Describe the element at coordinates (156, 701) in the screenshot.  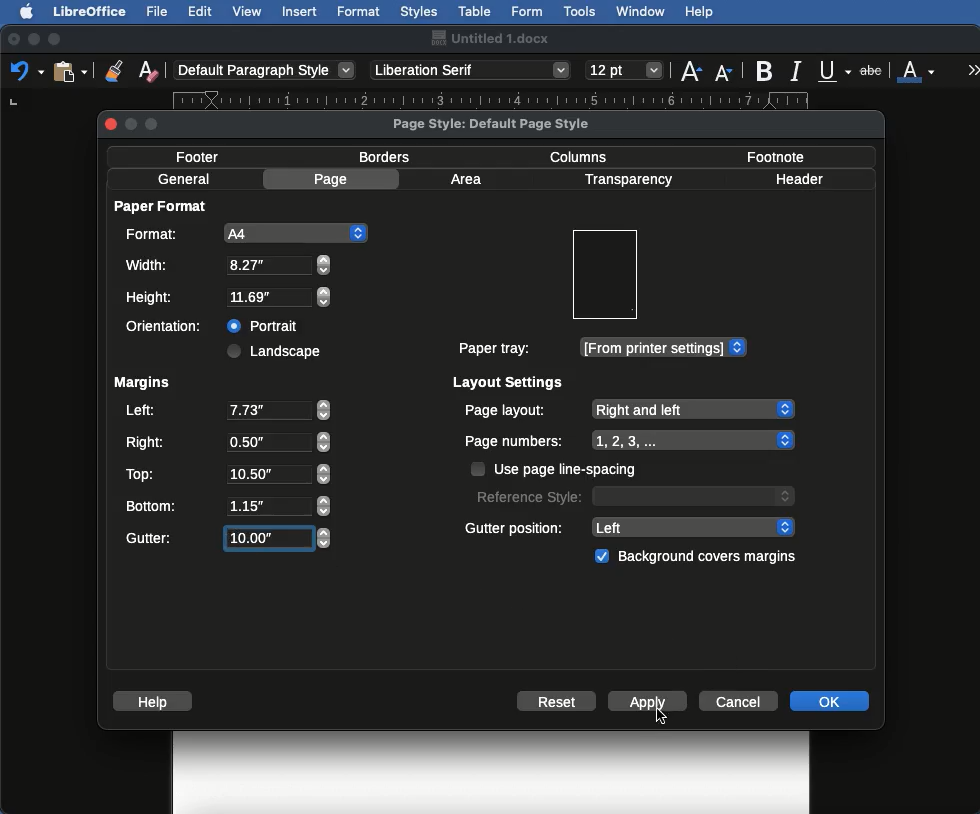
I see `Help` at that location.